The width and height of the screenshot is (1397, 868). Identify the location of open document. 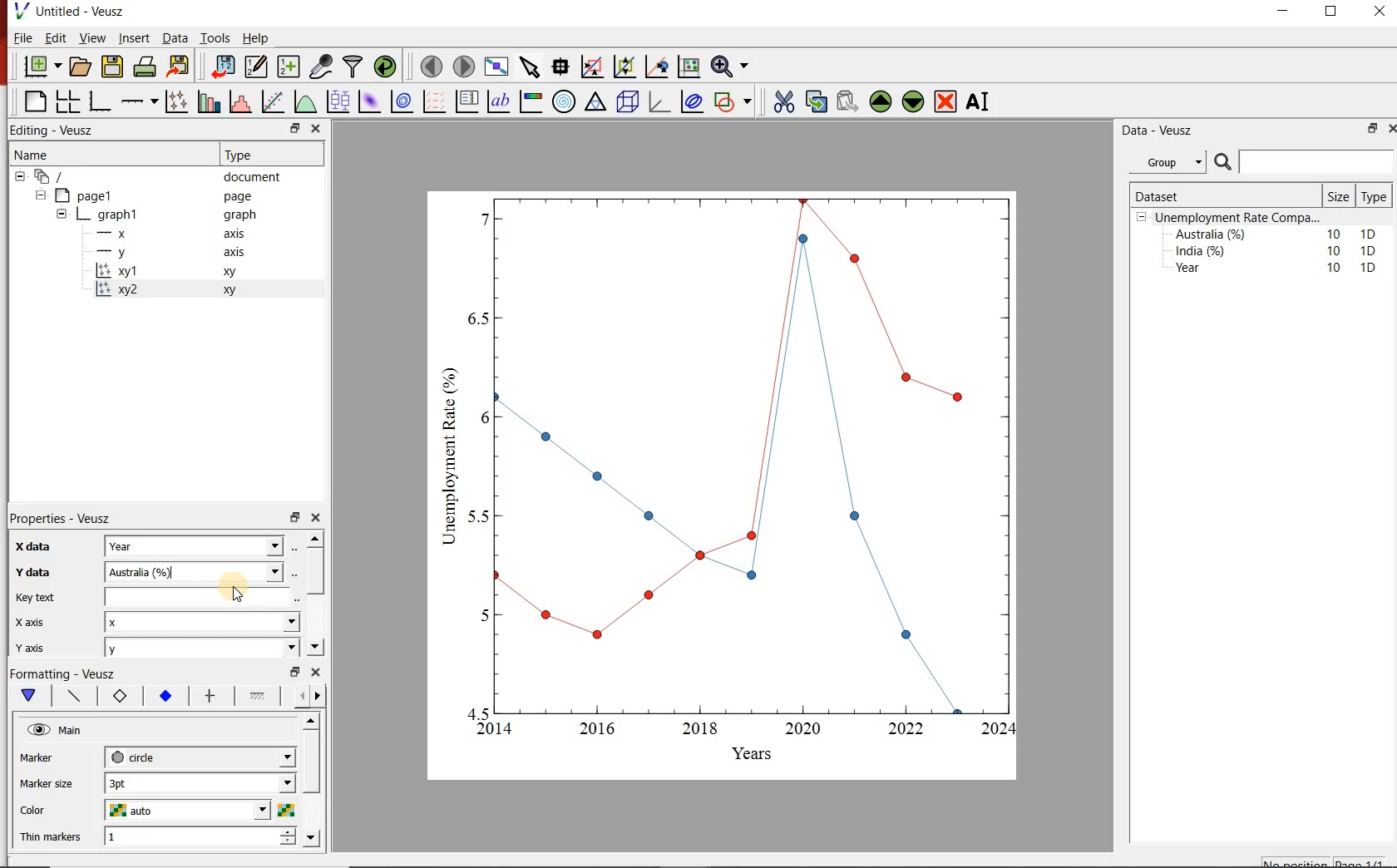
(81, 67).